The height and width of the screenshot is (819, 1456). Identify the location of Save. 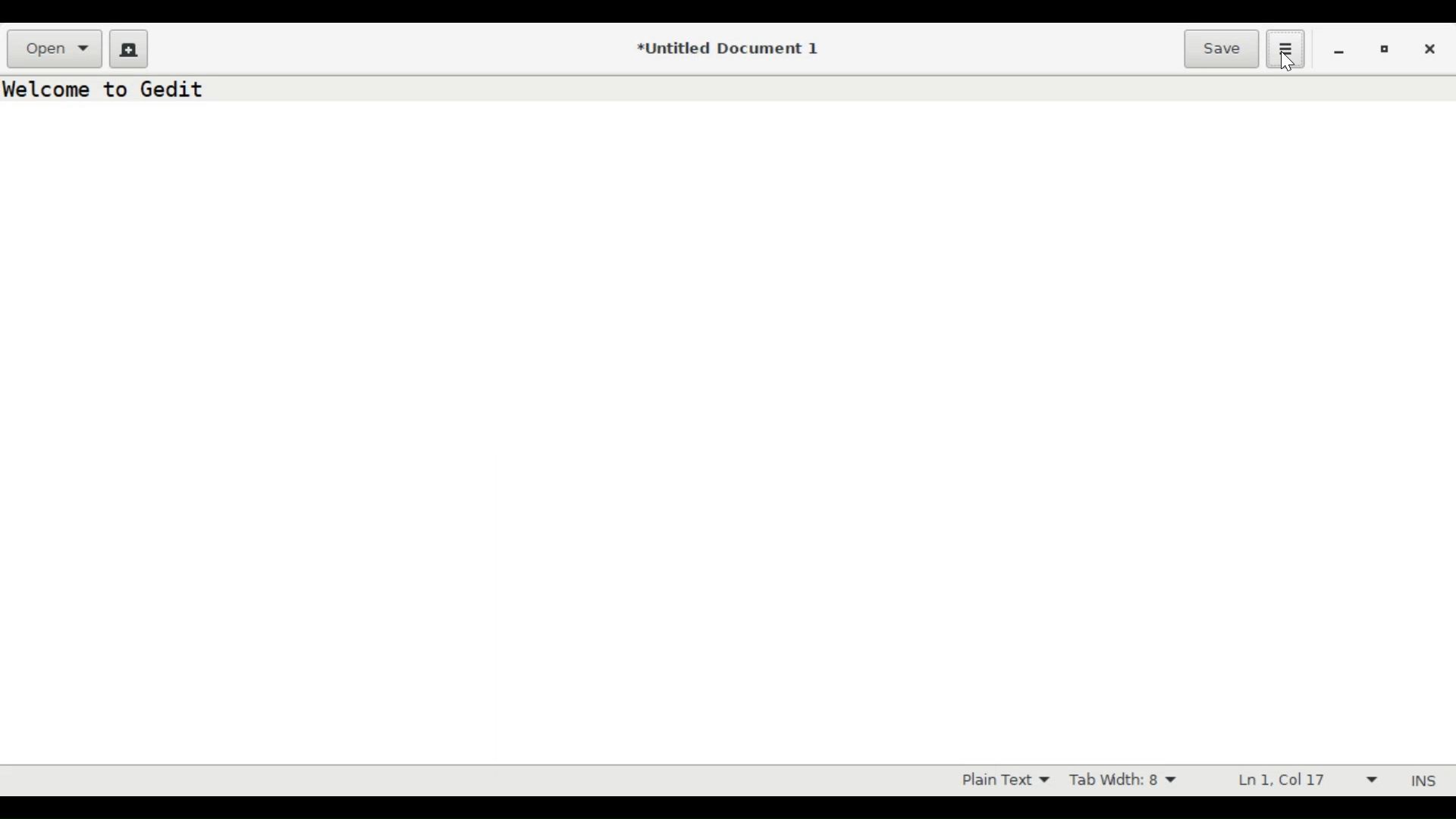
(1222, 50).